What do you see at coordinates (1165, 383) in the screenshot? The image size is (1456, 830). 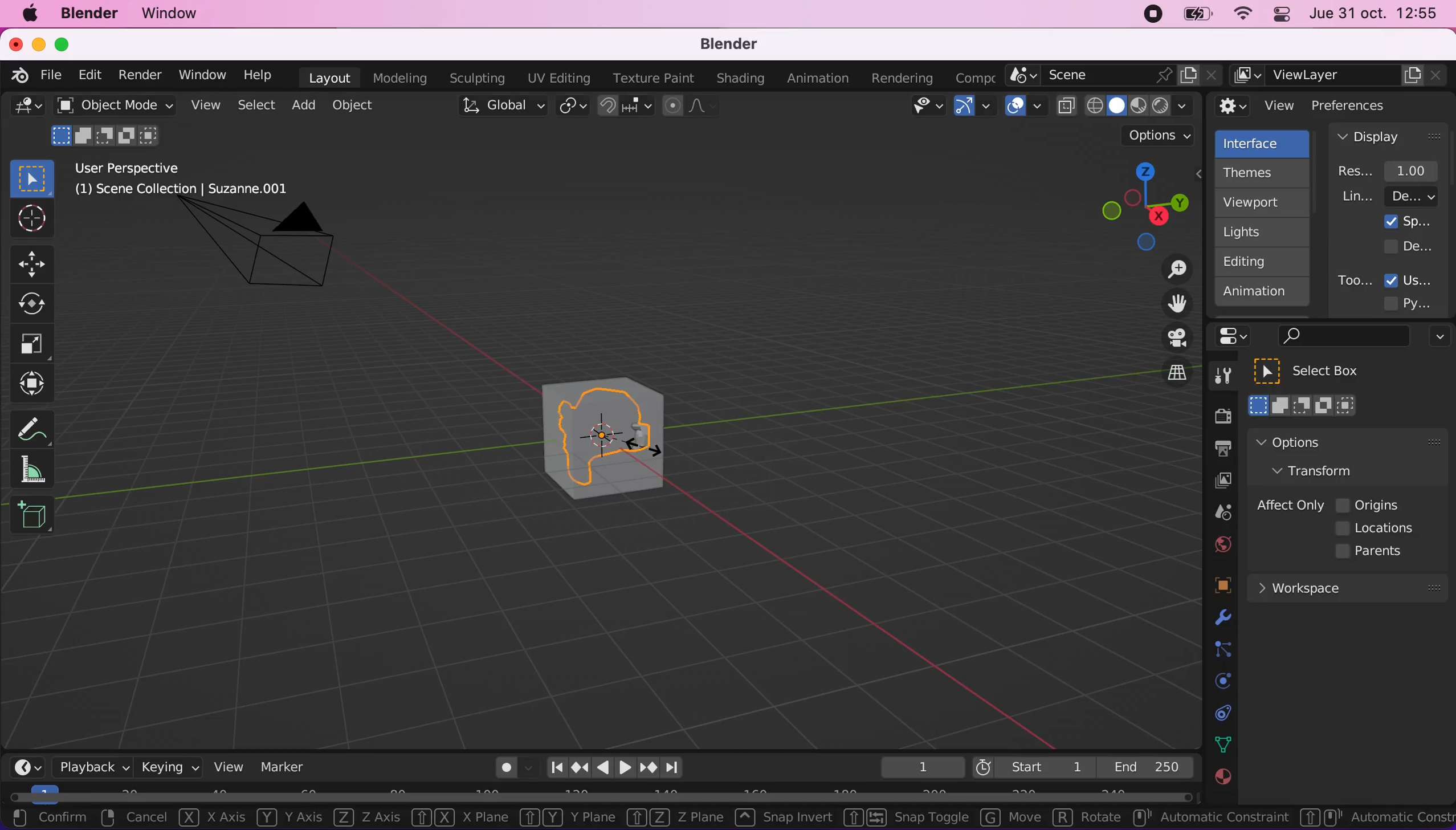 I see `switch the current view` at bounding box center [1165, 383].